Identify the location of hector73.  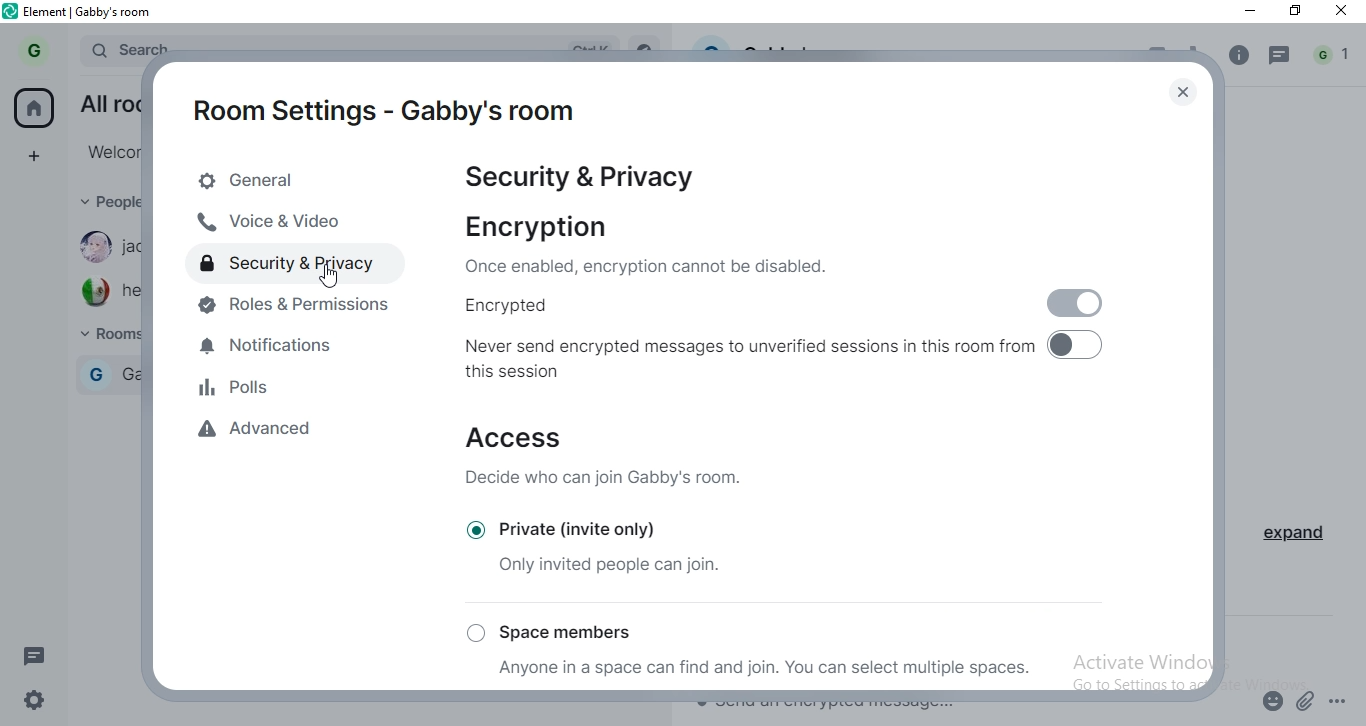
(132, 292).